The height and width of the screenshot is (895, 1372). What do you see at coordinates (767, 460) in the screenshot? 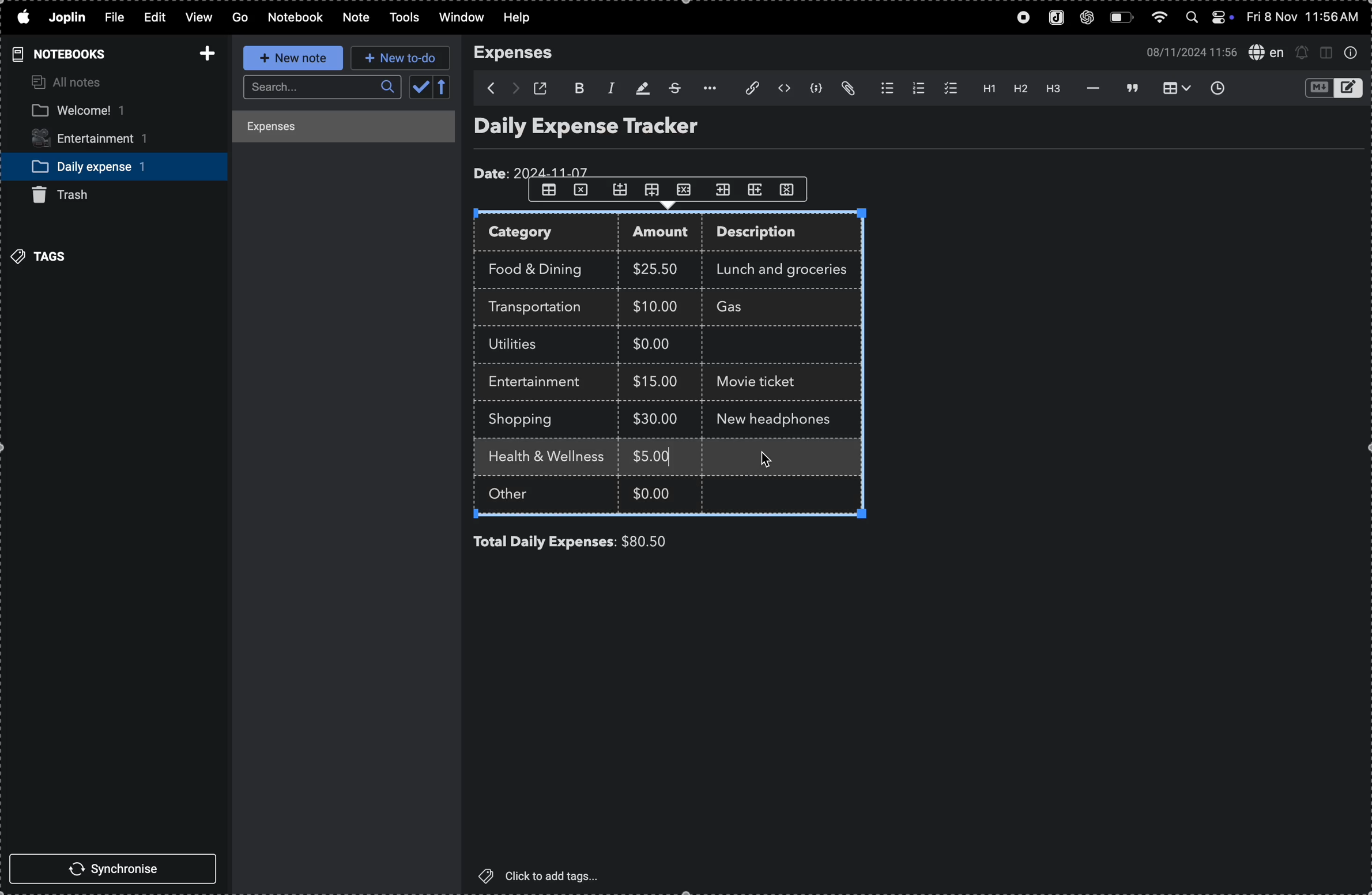
I see `cursor` at bounding box center [767, 460].